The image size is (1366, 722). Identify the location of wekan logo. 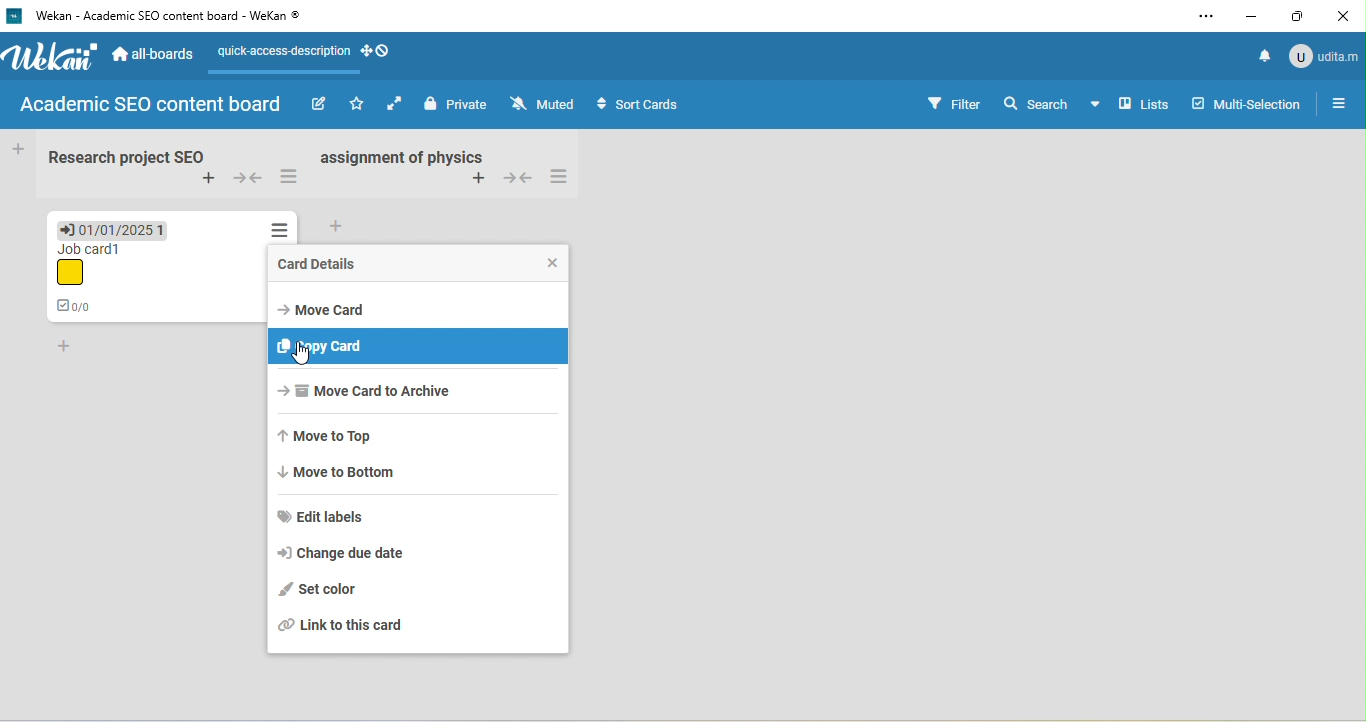
(15, 15).